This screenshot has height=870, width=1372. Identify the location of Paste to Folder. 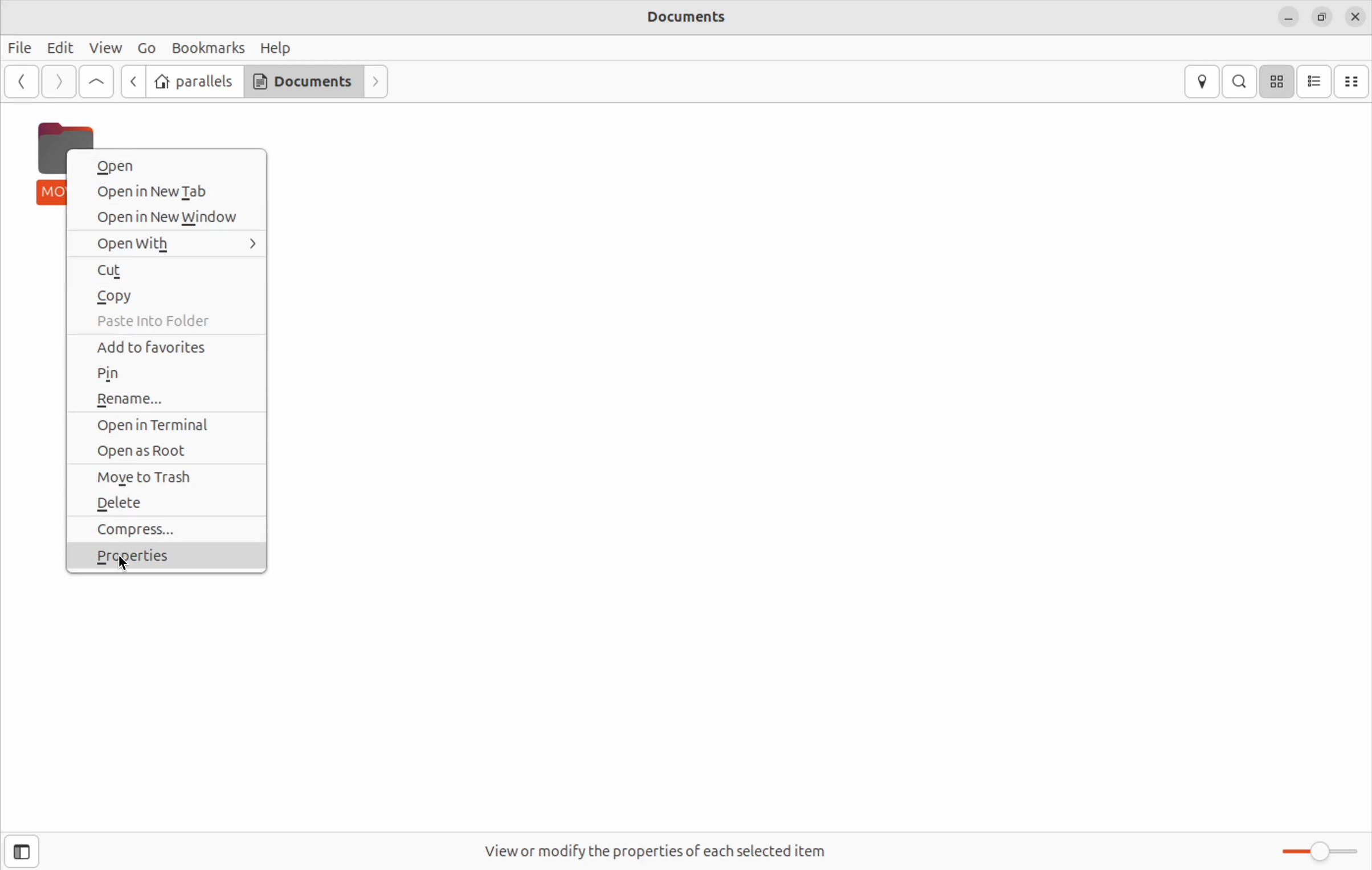
(170, 321).